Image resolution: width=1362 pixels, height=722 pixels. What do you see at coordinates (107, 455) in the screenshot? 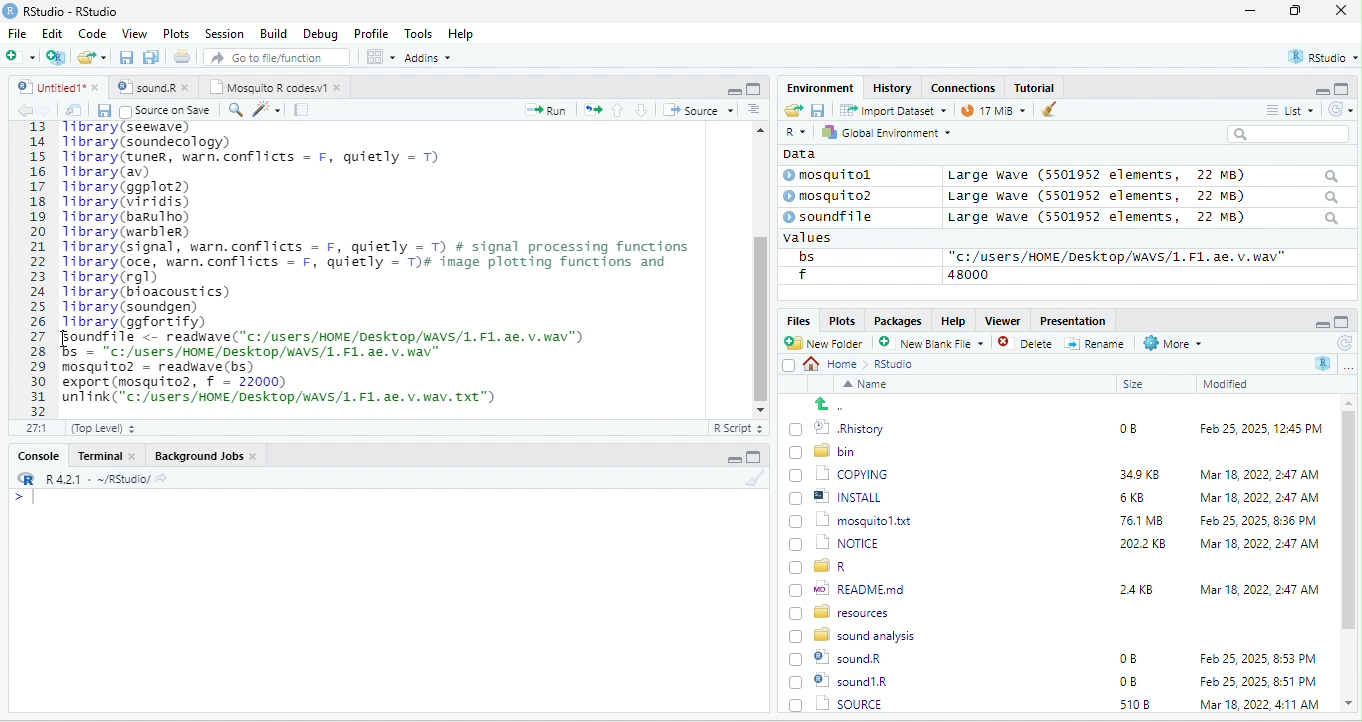
I see `Terminal` at bounding box center [107, 455].